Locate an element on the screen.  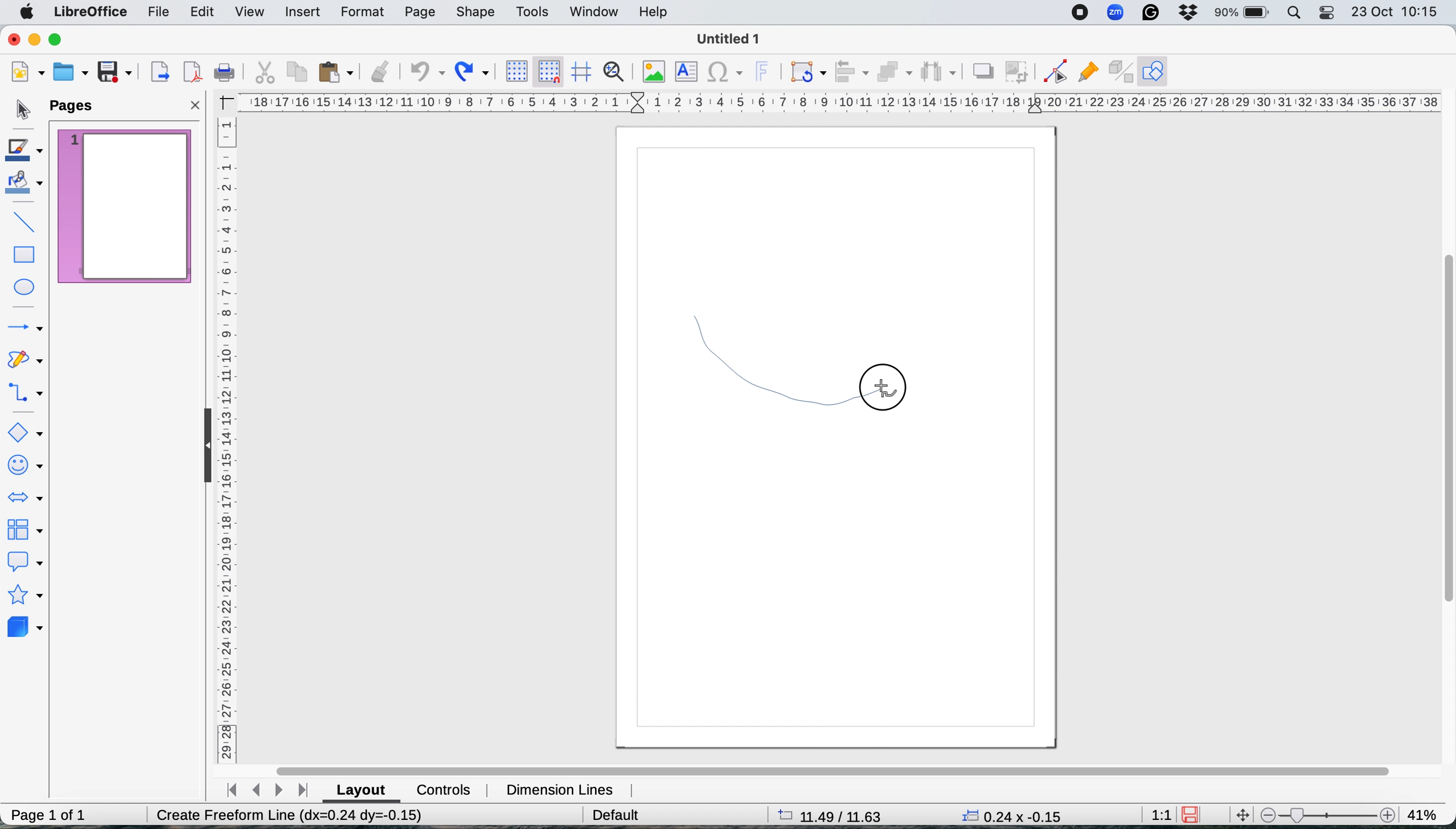
aspect ratio is located at coordinates (1158, 814).